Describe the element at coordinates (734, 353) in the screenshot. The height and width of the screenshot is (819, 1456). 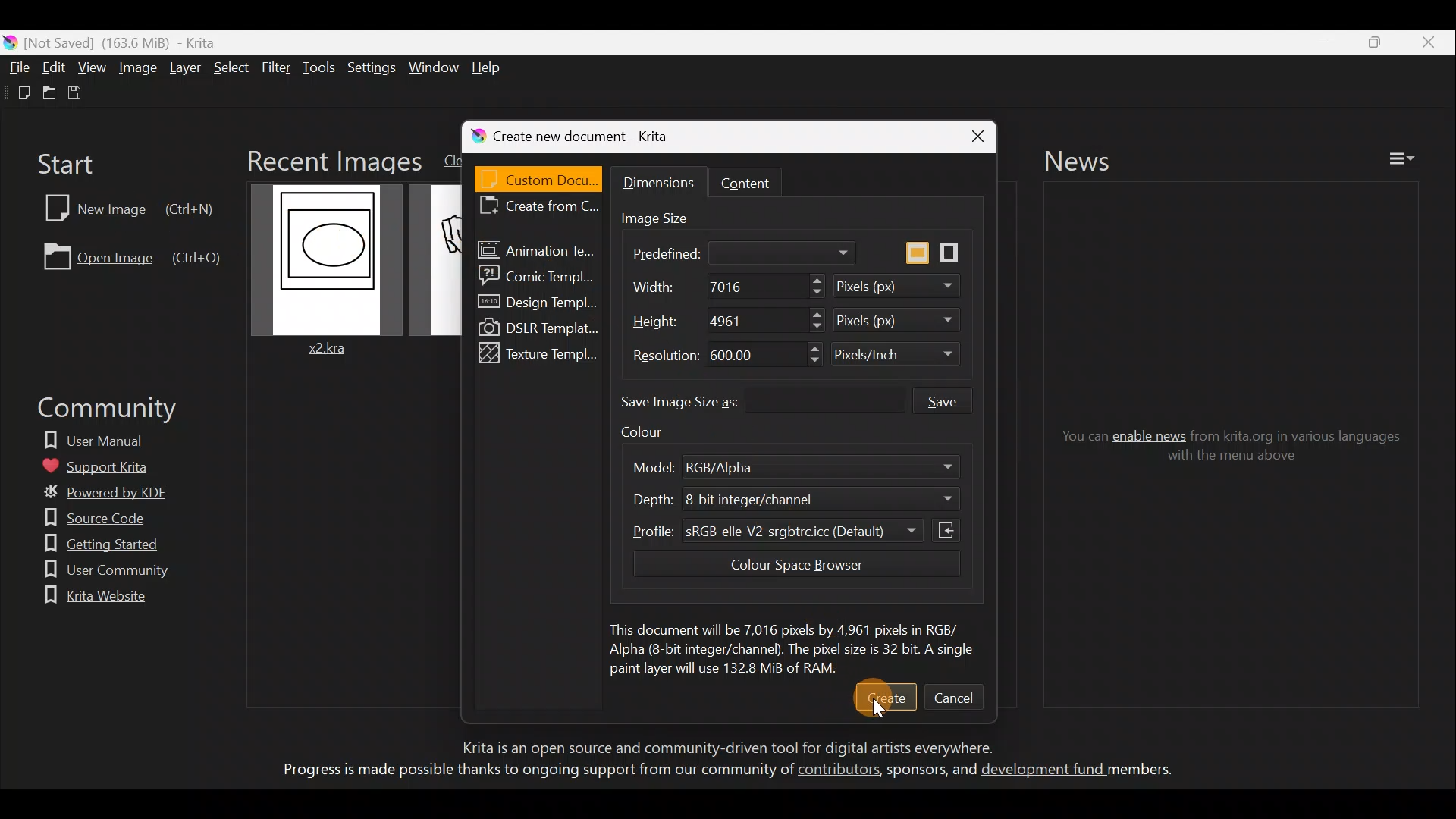
I see `600.00` at that location.